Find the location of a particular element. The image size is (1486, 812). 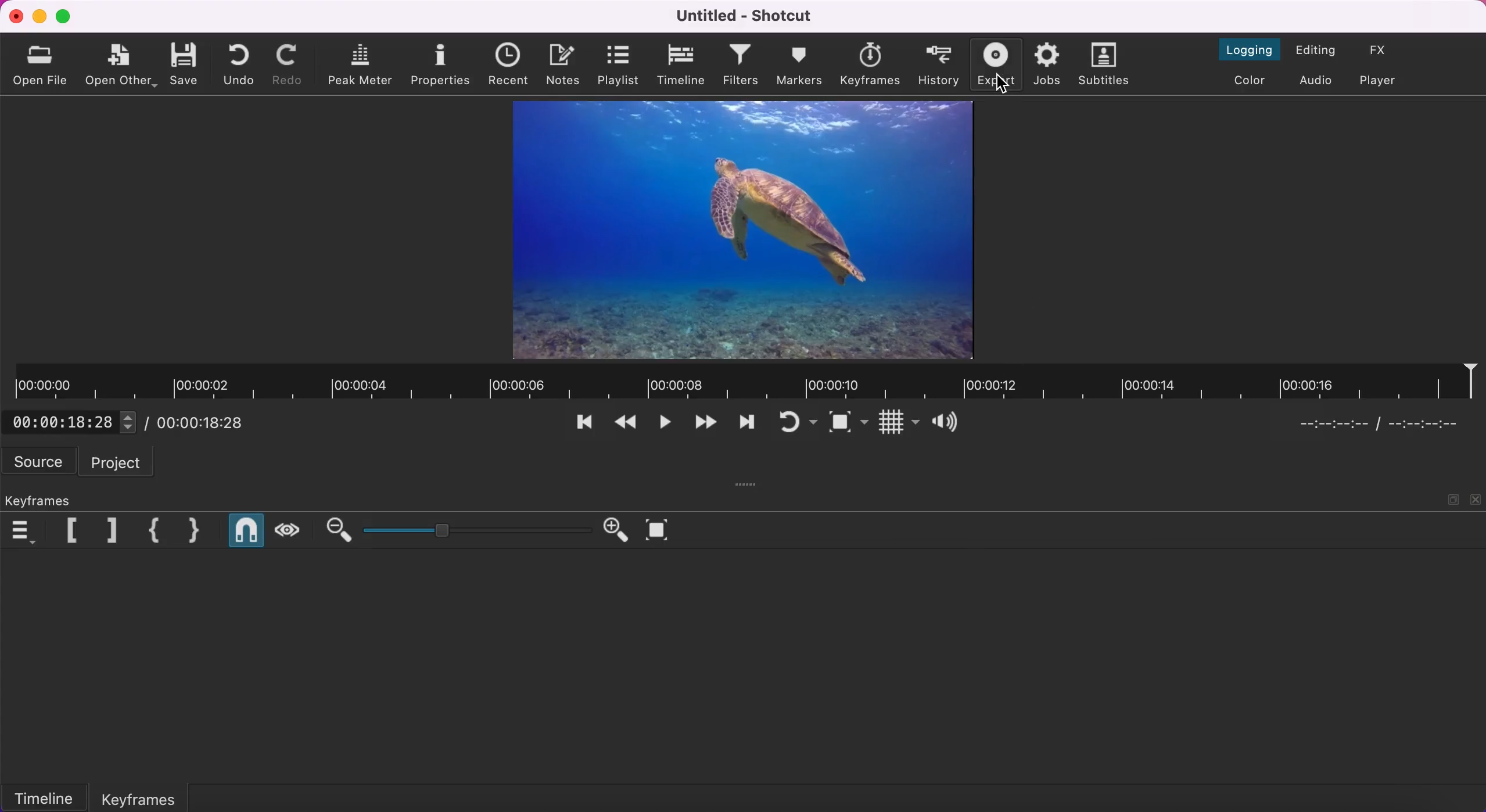

skip to the next point is located at coordinates (708, 423).